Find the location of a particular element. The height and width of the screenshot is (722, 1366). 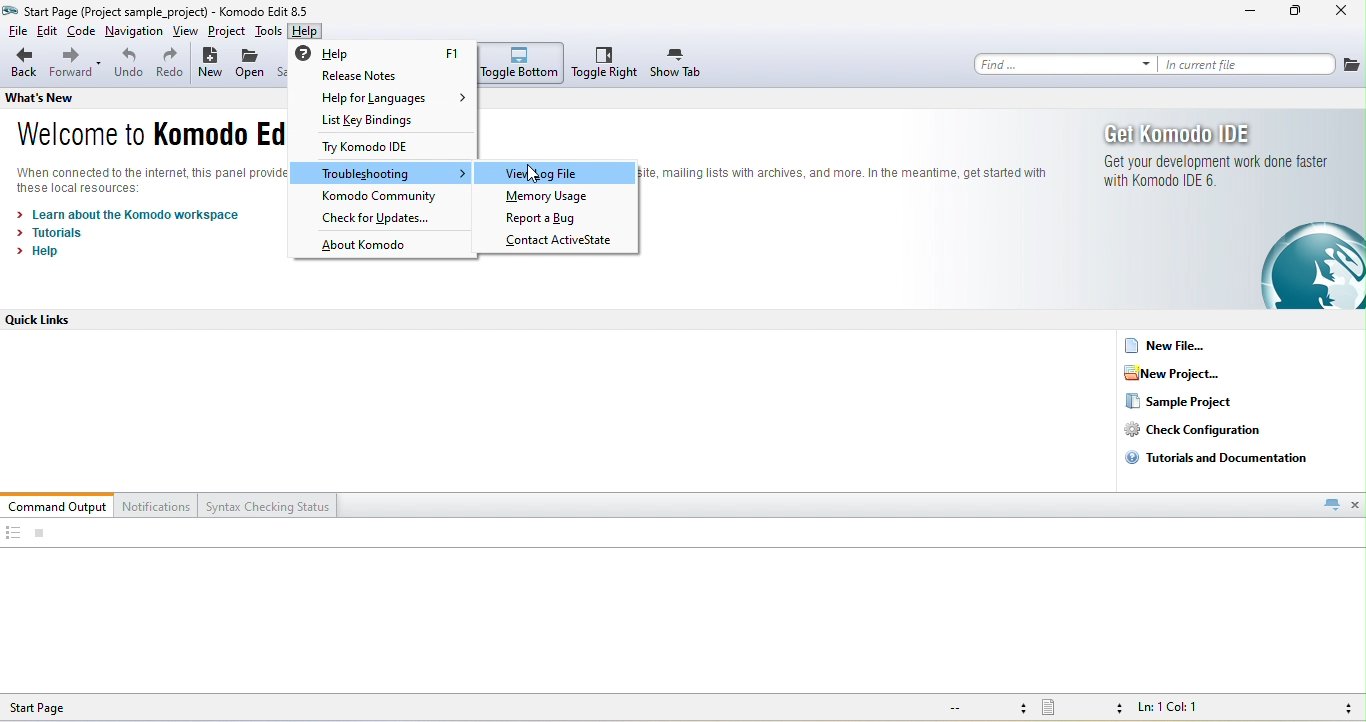

about komodo is located at coordinates (369, 247).